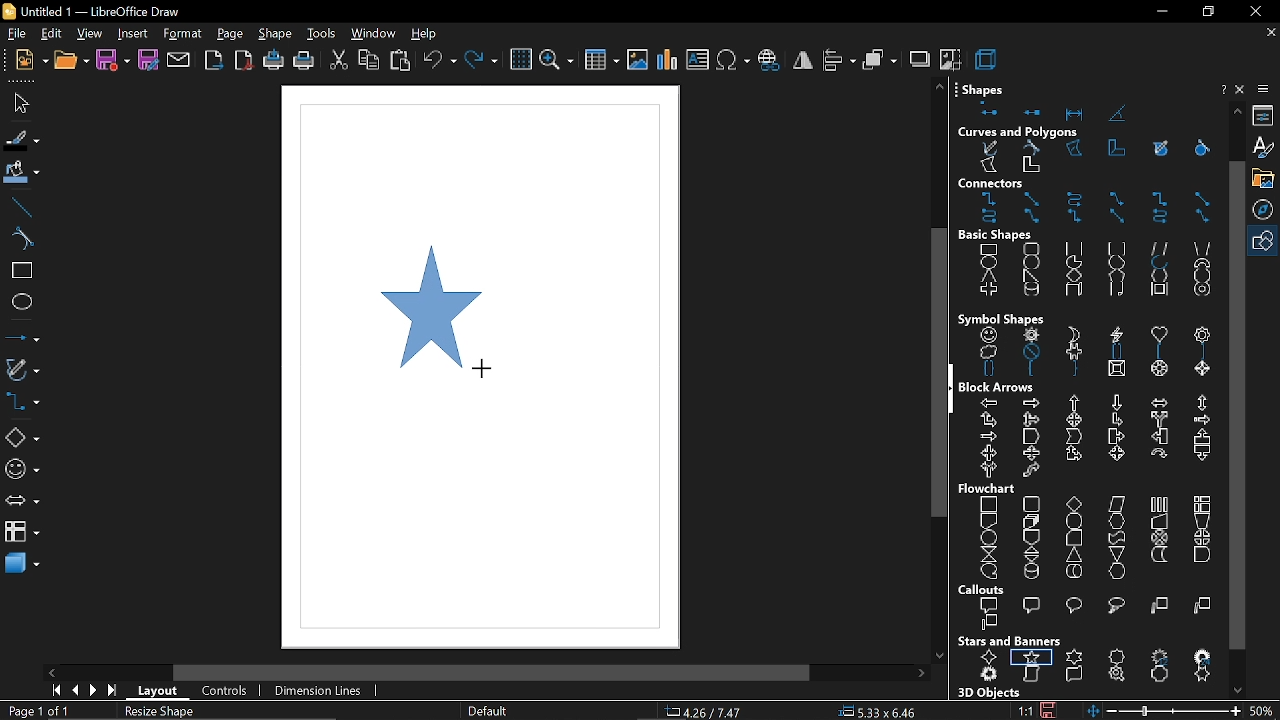 The image size is (1280, 720). What do you see at coordinates (714, 712) in the screenshot?
I see `co-ordinates` at bounding box center [714, 712].